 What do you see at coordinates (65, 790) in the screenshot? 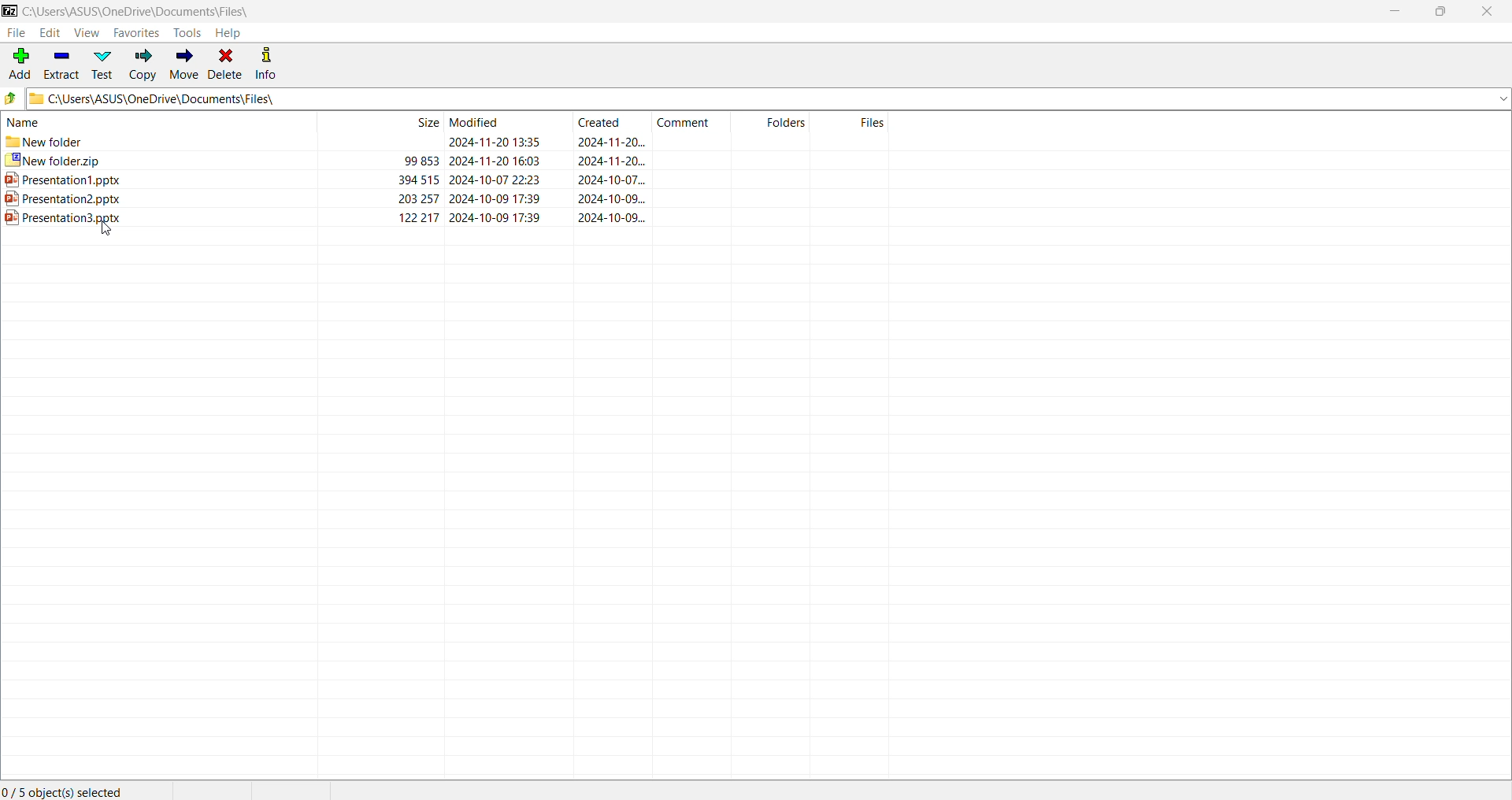
I see `Current Selection` at bounding box center [65, 790].